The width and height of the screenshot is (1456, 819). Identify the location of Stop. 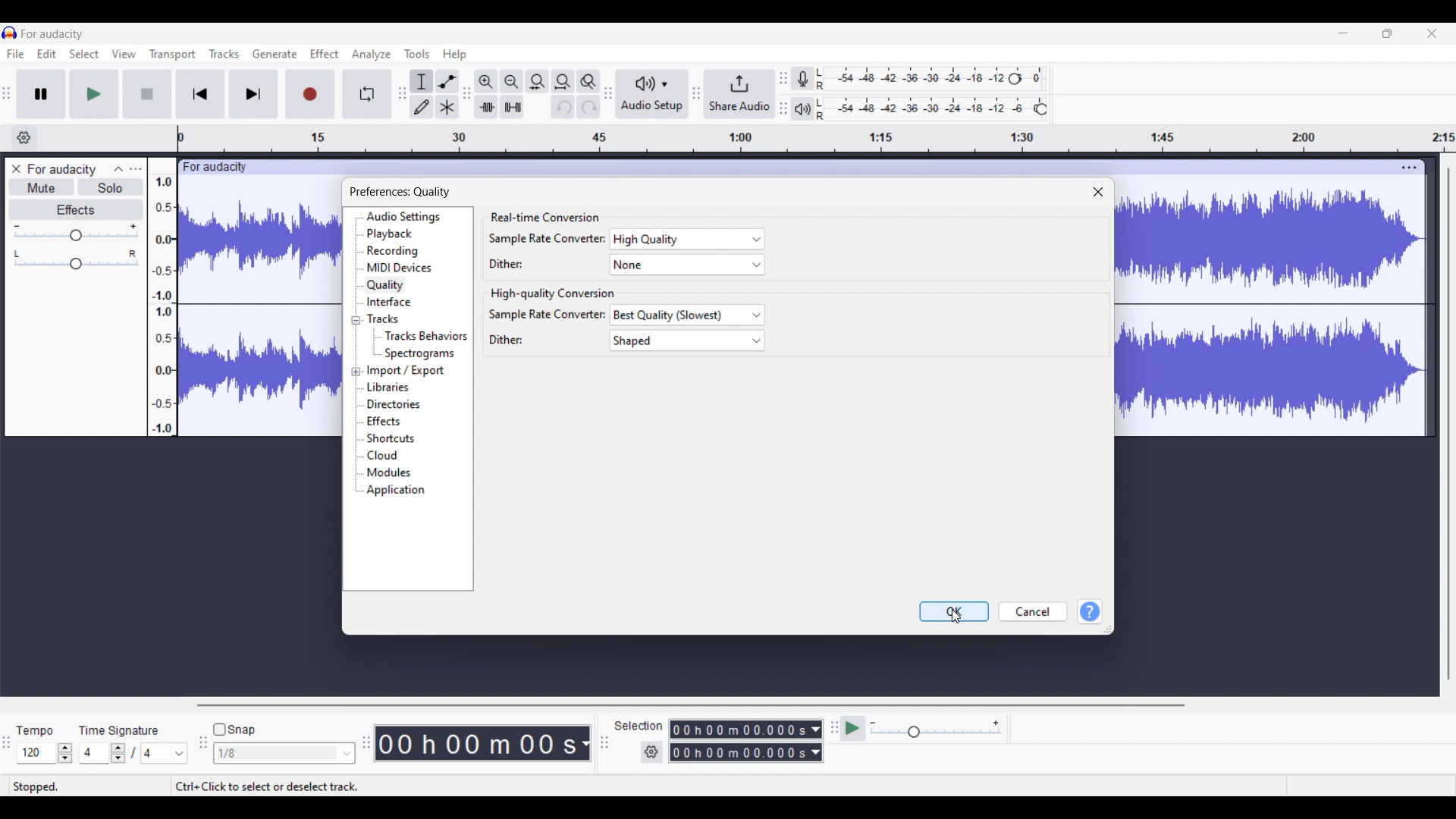
(146, 94).